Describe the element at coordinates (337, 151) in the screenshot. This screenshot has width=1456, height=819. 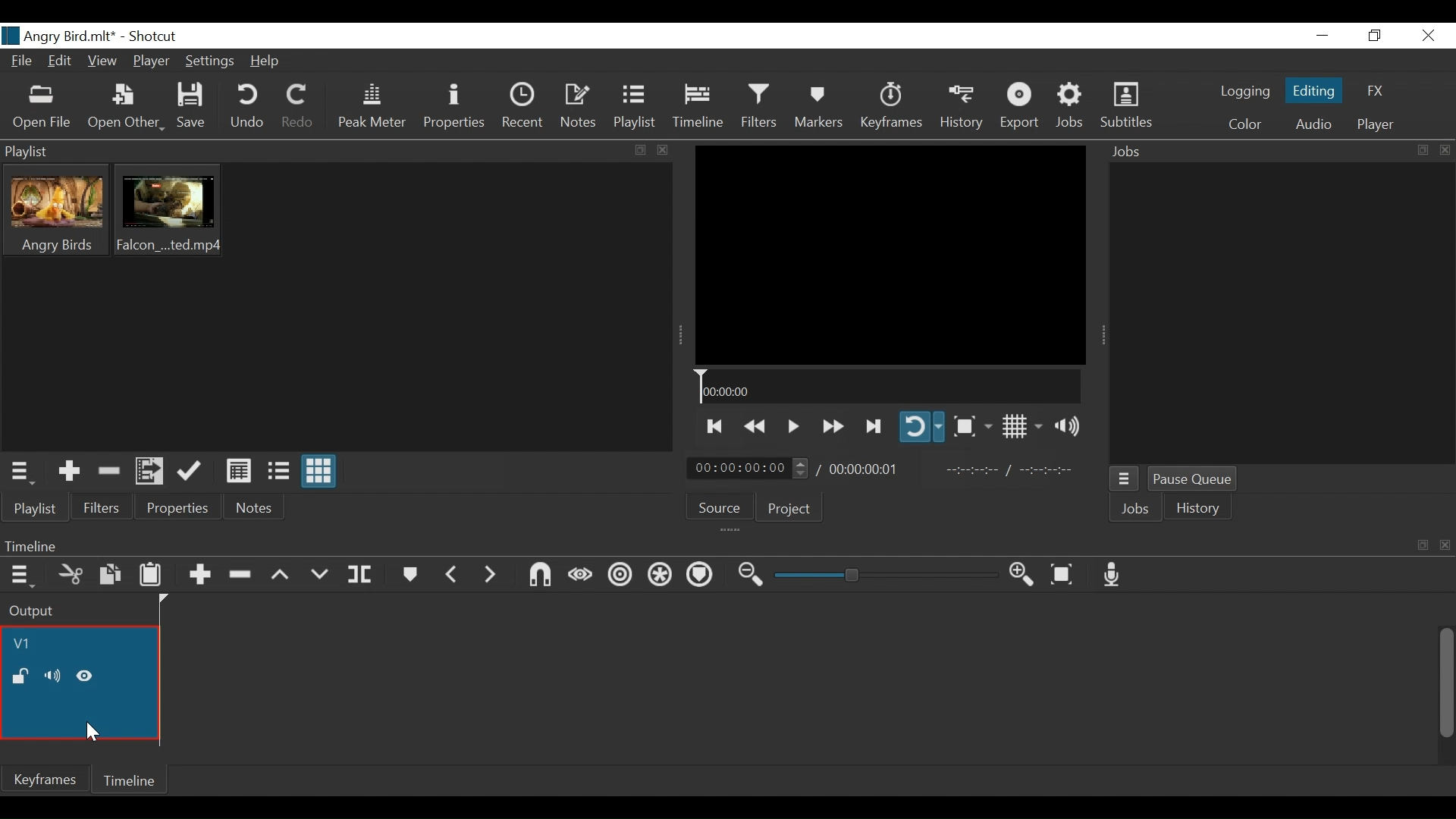
I see `Playlist` at that location.